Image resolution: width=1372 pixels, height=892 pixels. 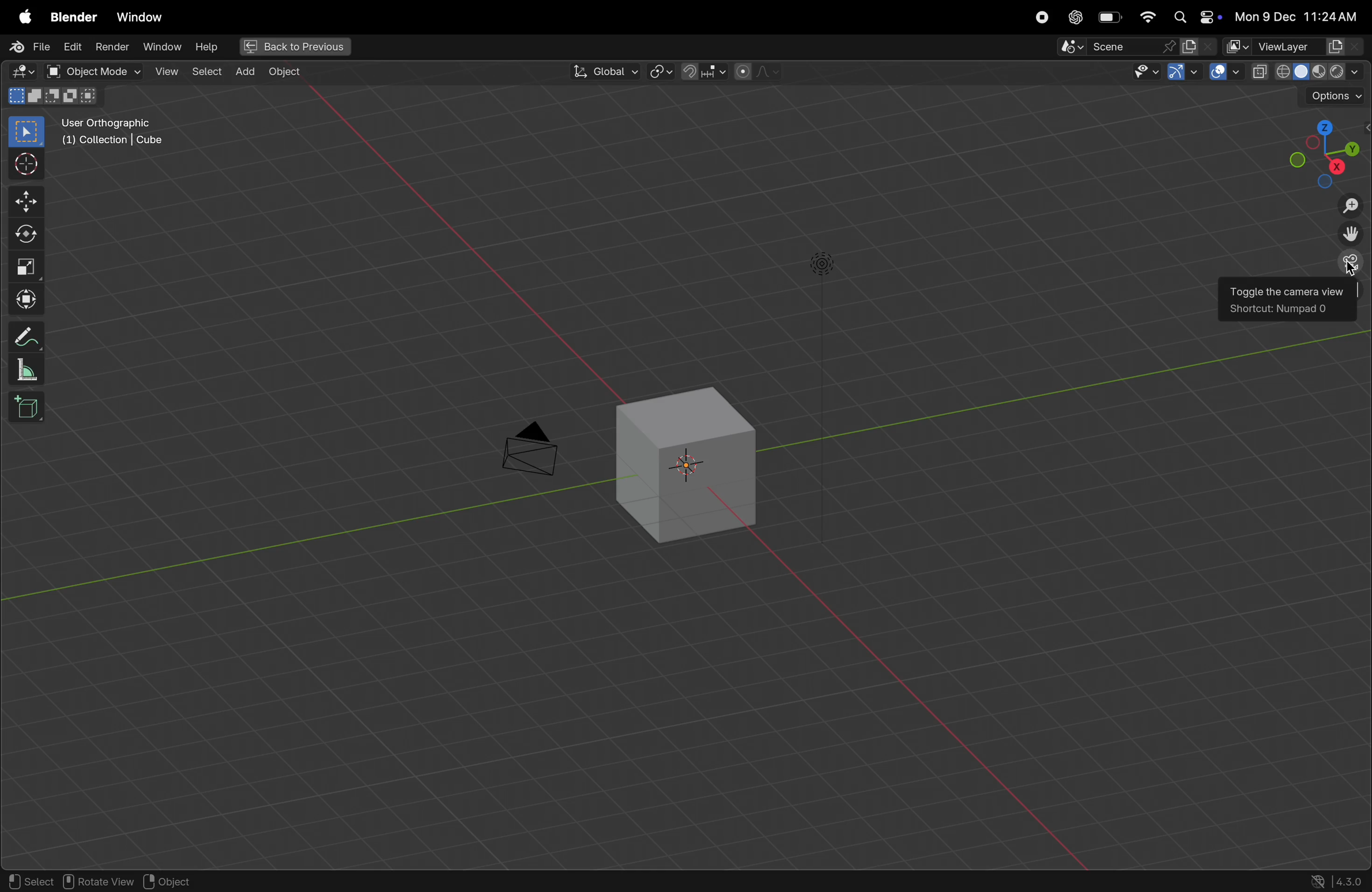 What do you see at coordinates (75, 14) in the screenshot?
I see `blender` at bounding box center [75, 14].